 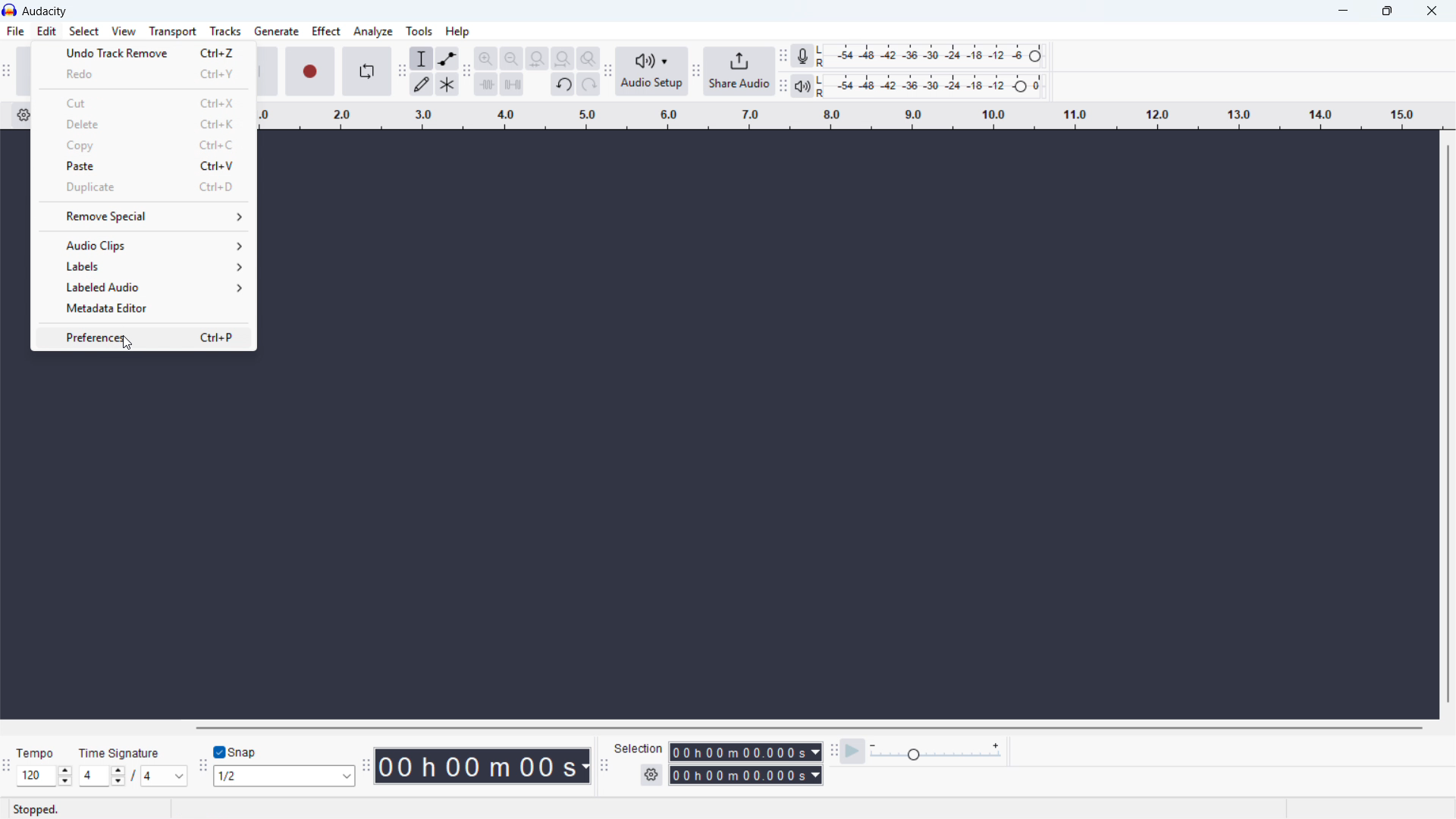 I want to click on effect, so click(x=325, y=30).